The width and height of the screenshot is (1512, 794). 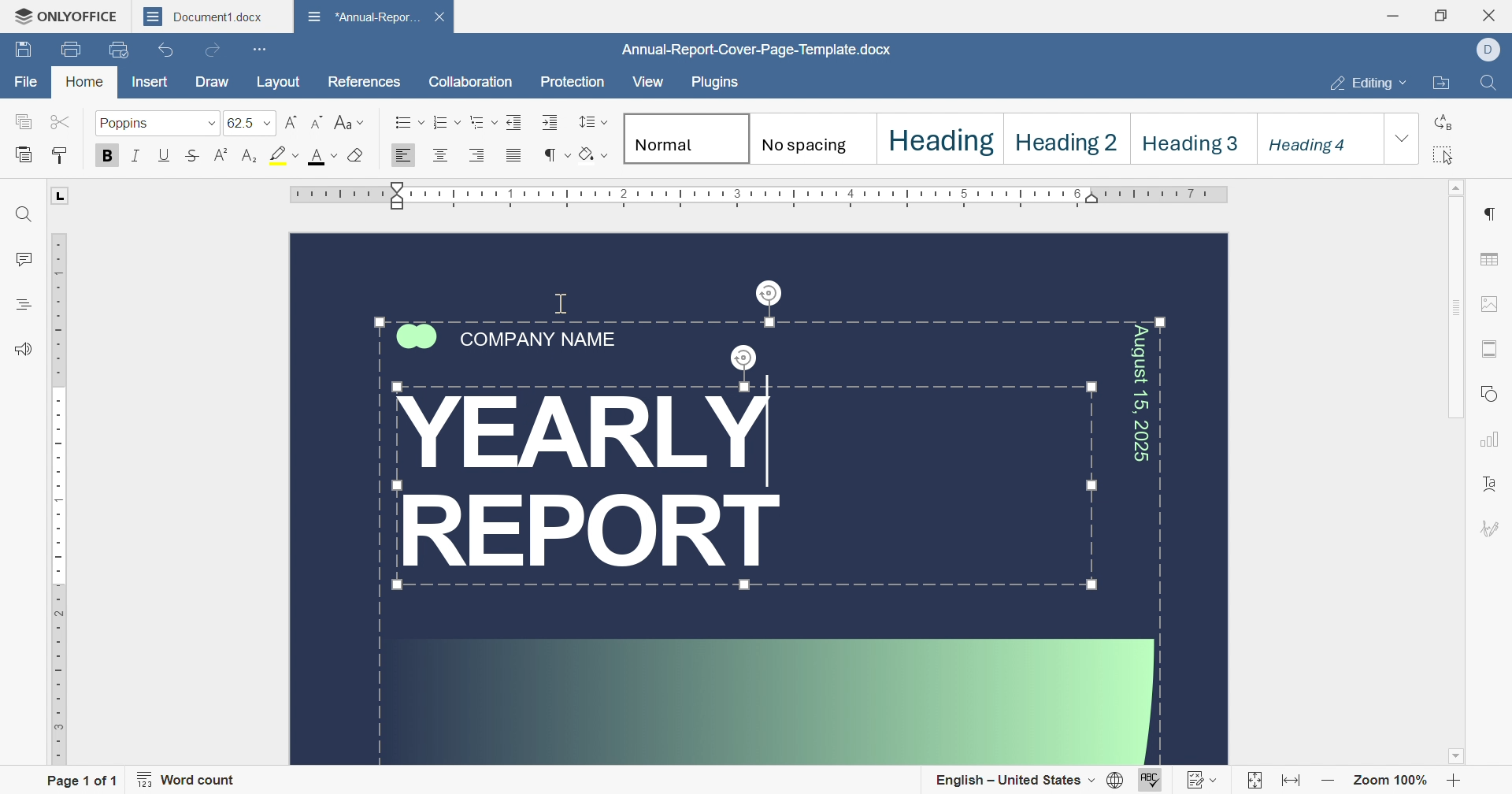 I want to click on save, so click(x=22, y=50).